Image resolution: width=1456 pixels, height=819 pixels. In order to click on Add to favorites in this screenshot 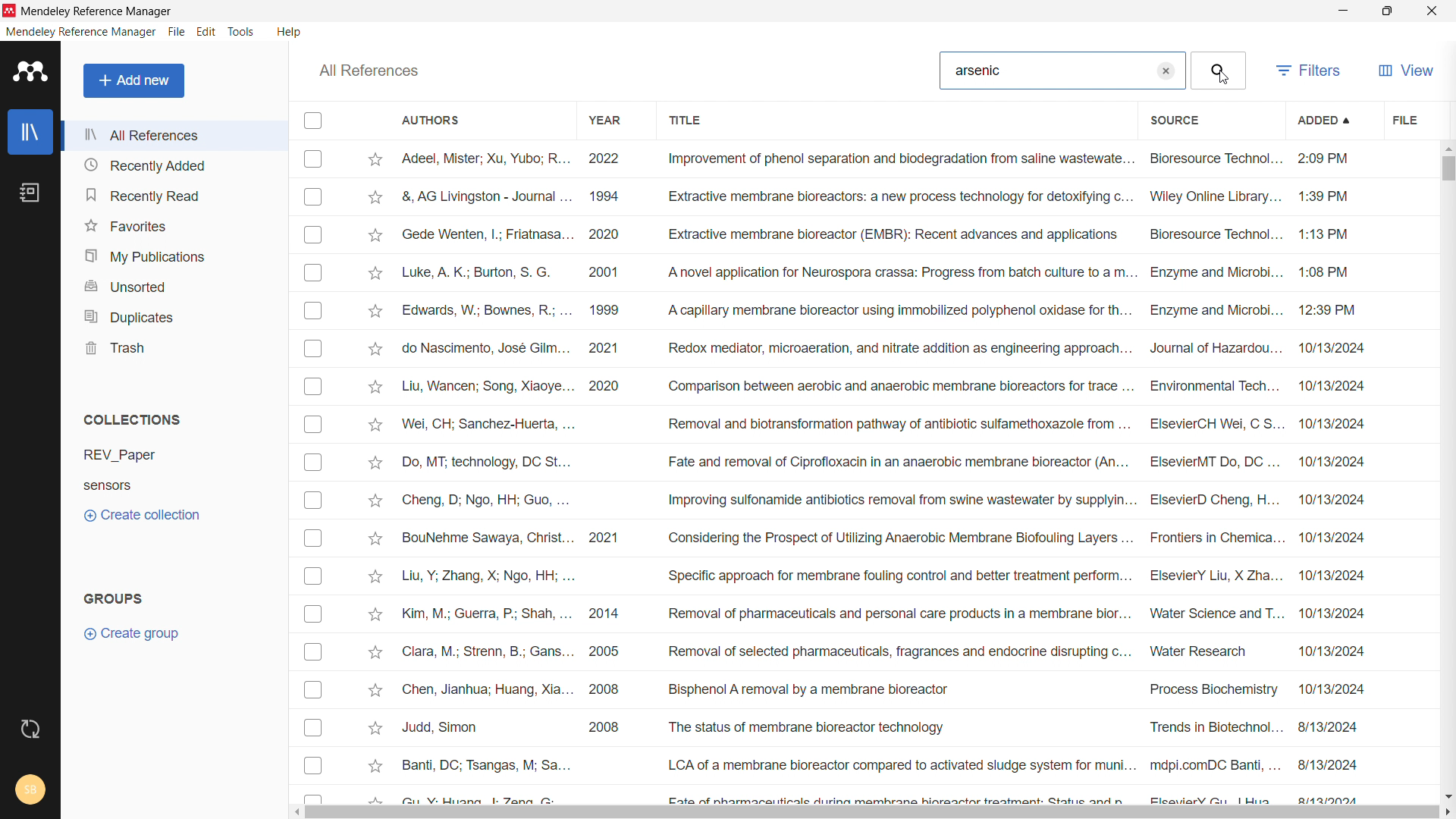, I will do `click(375, 611)`.